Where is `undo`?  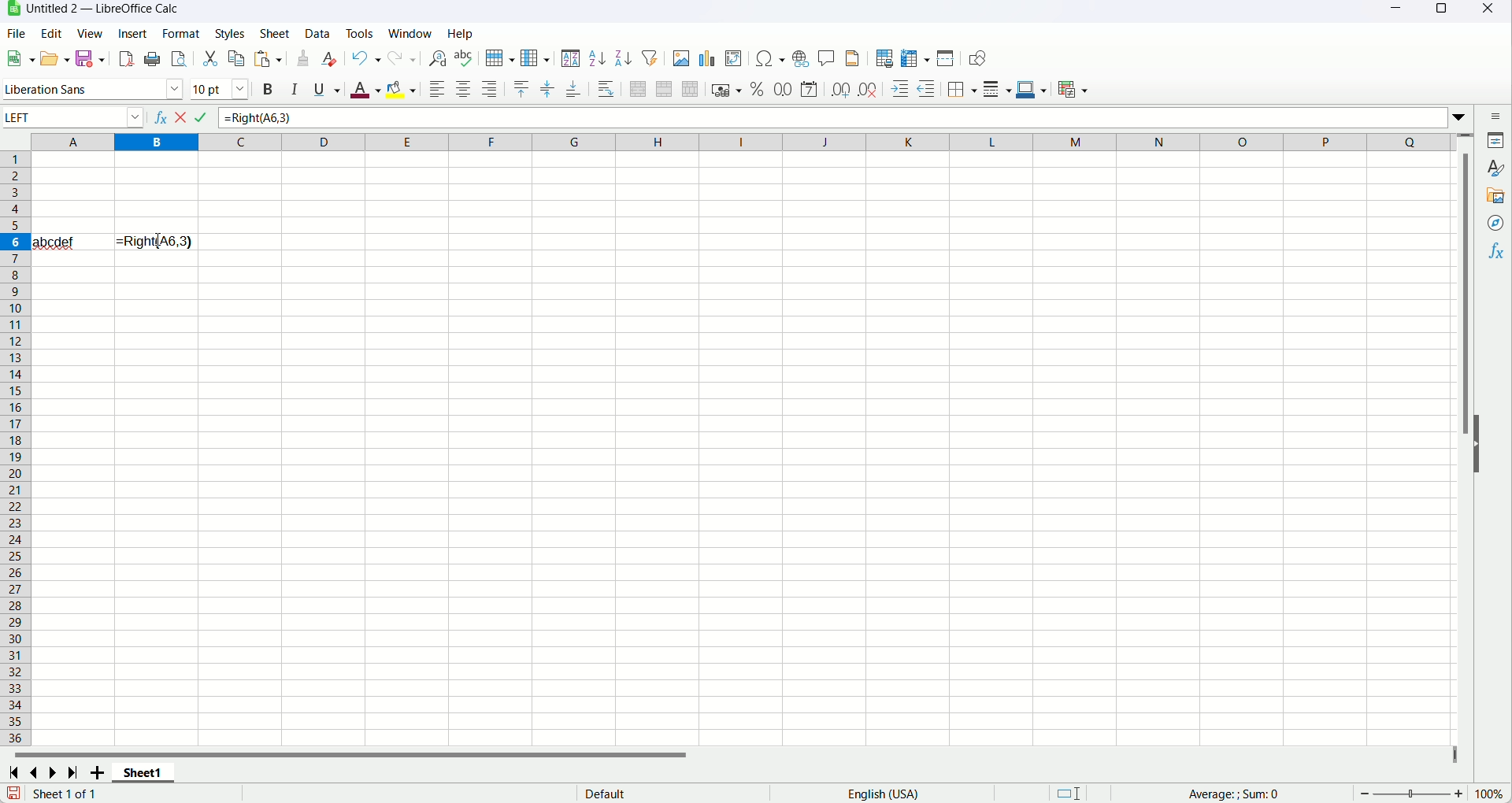 undo is located at coordinates (366, 60).